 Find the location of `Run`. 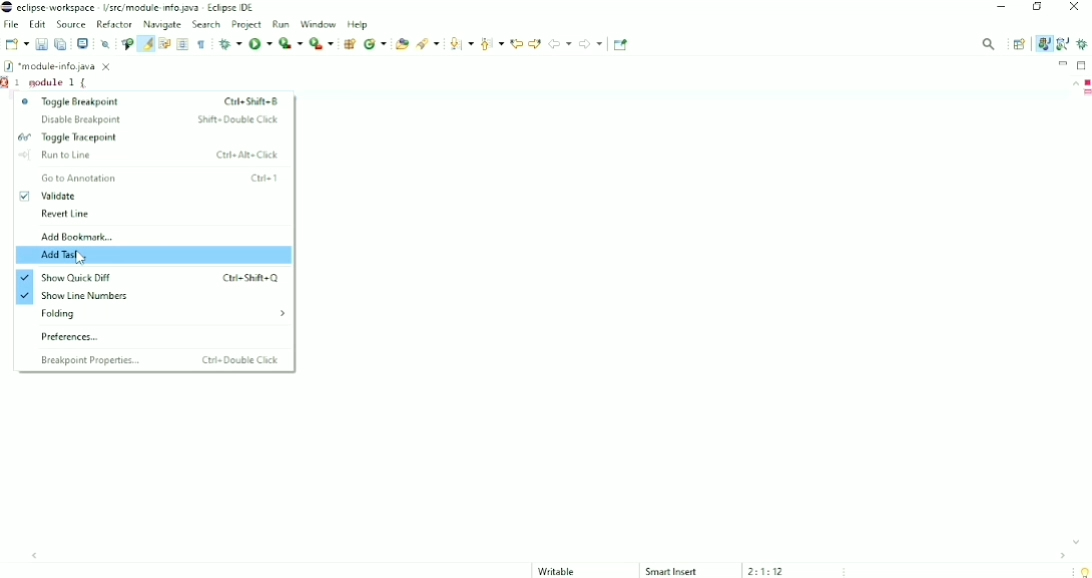

Run is located at coordinates (283, 23).